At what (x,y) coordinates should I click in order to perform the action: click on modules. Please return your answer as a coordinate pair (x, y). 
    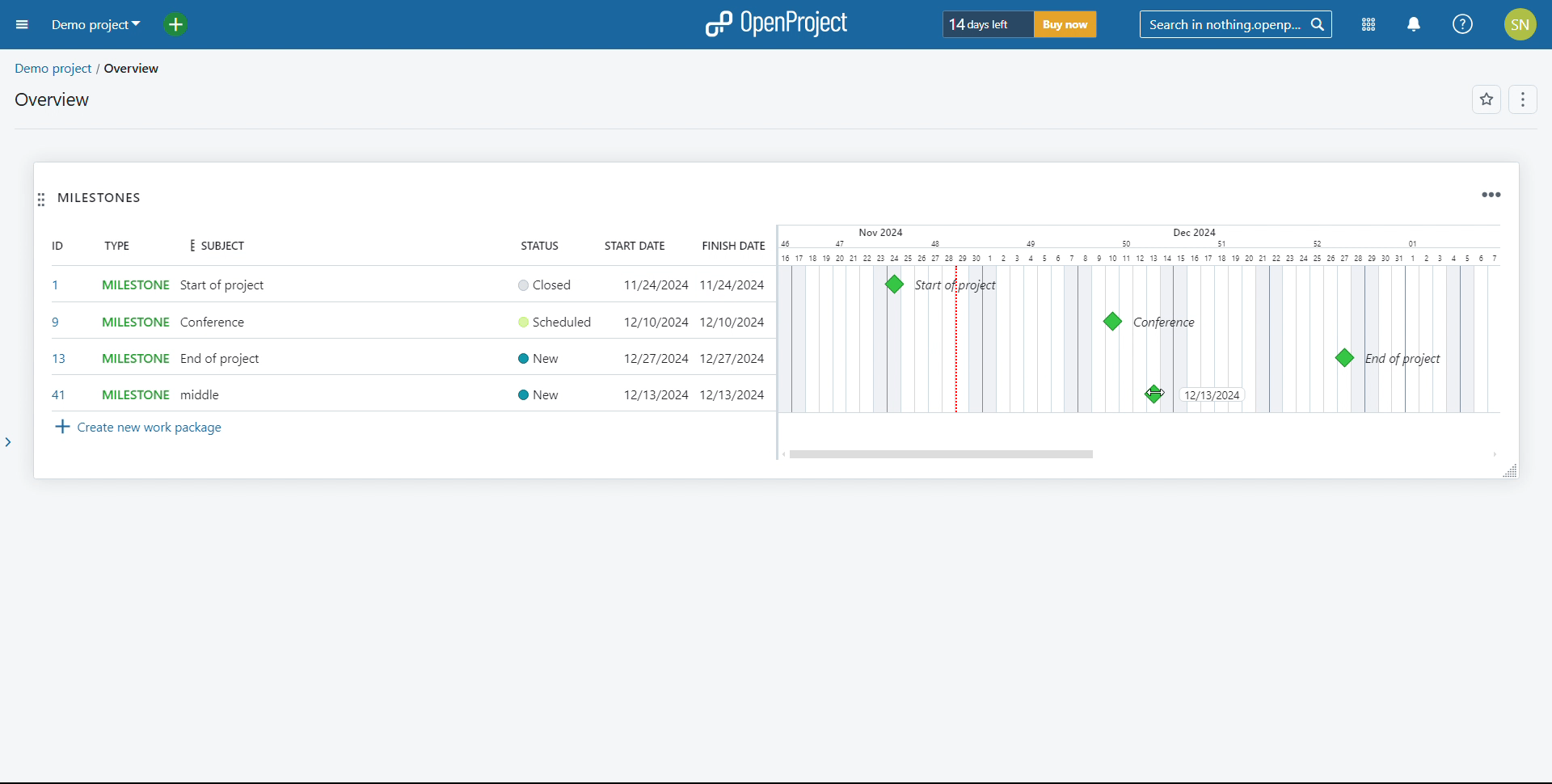
    Looking at the image, I should click on (1369, 25).